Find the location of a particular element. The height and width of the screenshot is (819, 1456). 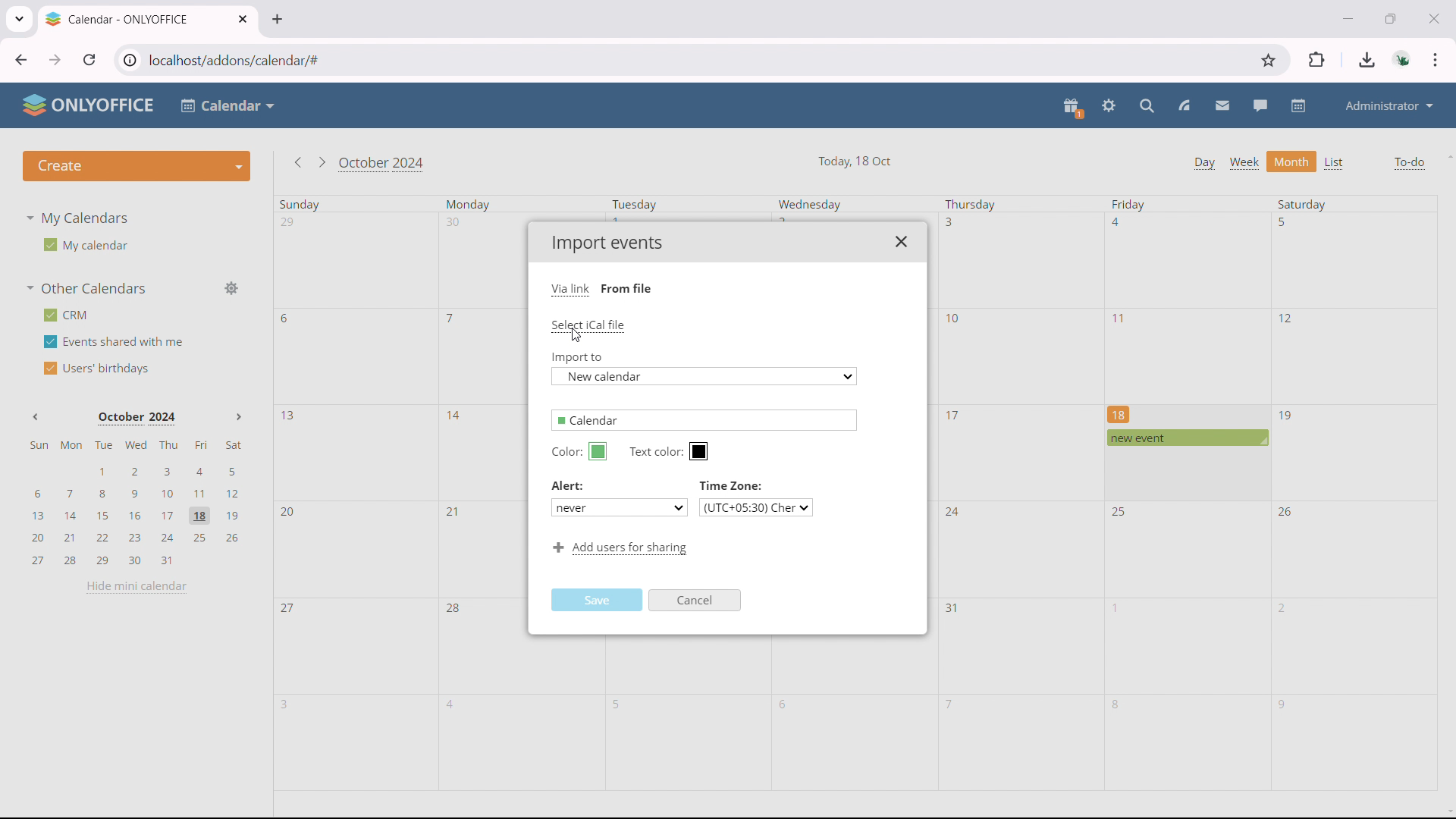

12 is located at coordinates (1286, 317).